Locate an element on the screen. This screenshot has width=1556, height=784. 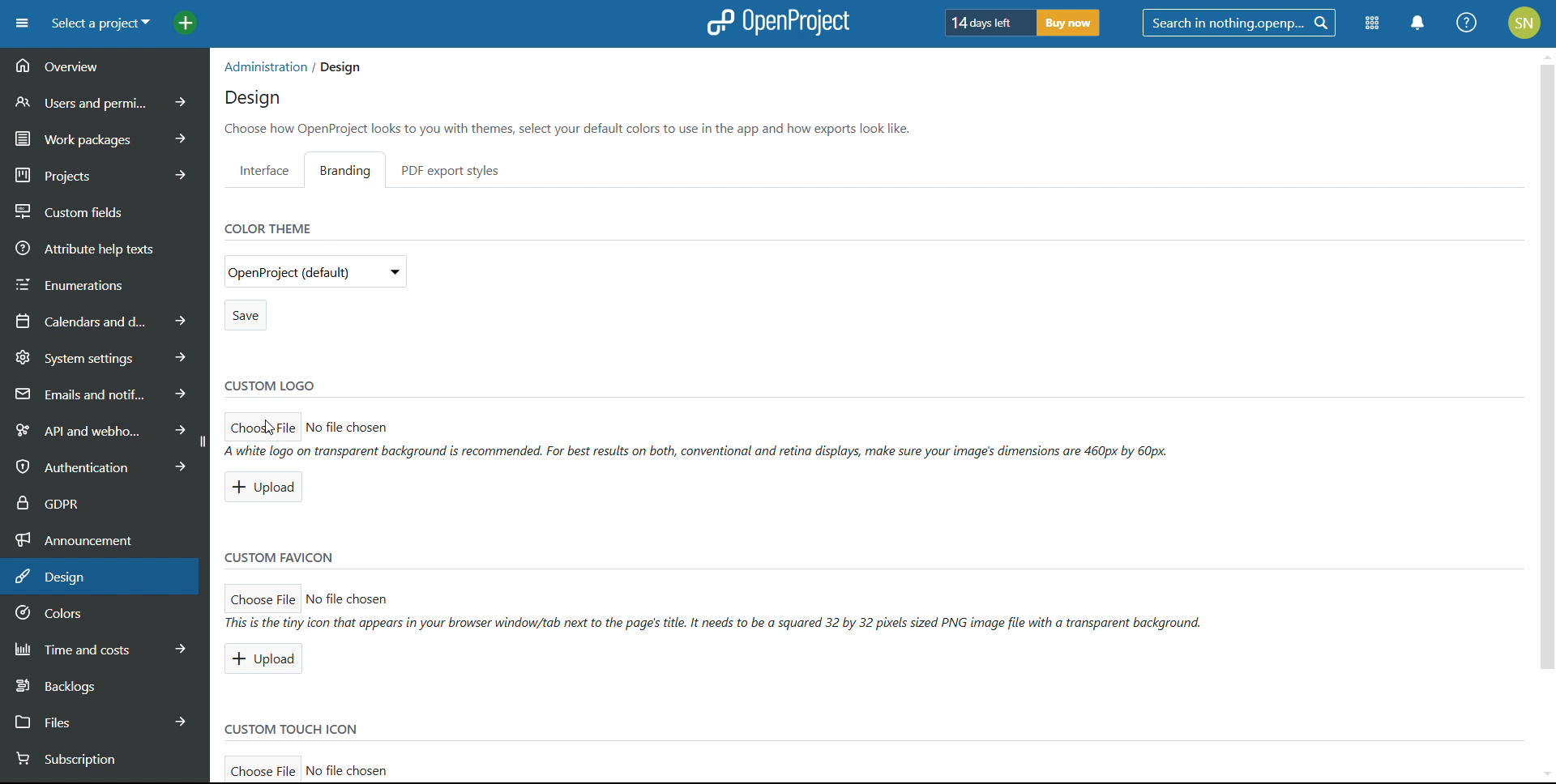
upload is located at coordinates (264, 487).